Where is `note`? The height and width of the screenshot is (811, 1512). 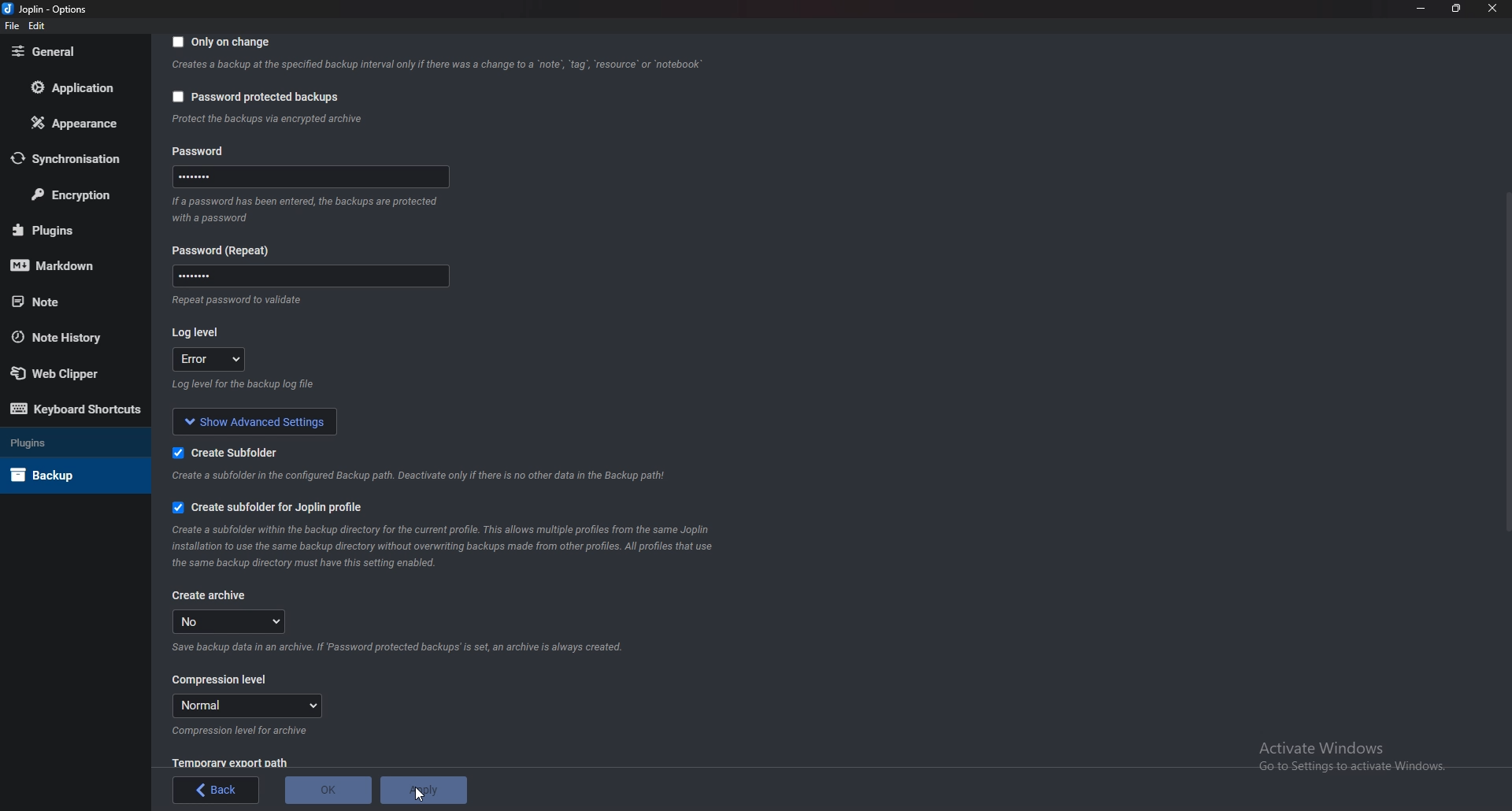 note is located at coordinates (69, 302).